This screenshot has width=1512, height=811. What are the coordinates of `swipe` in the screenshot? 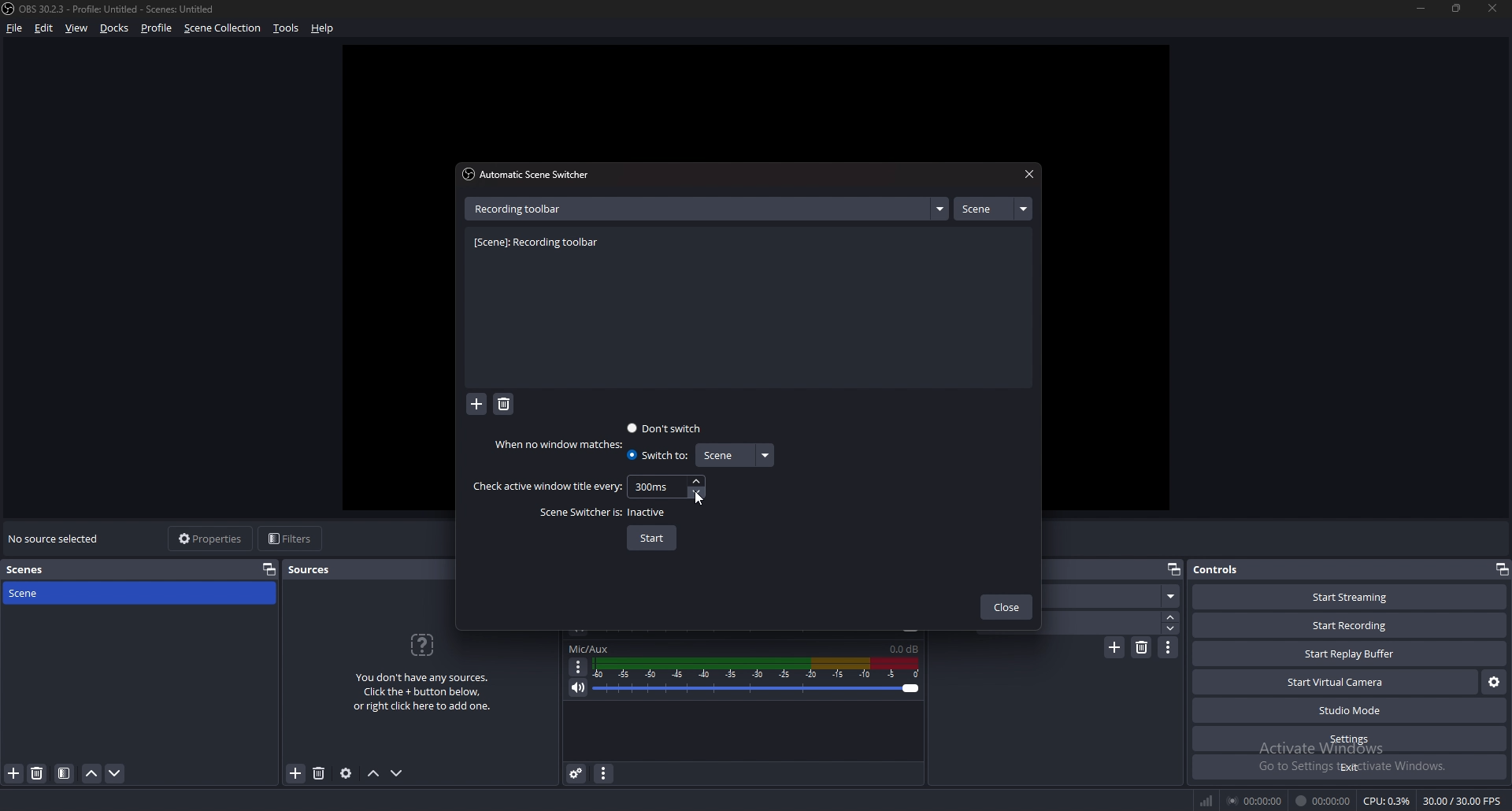 It's located at (1115, 596).